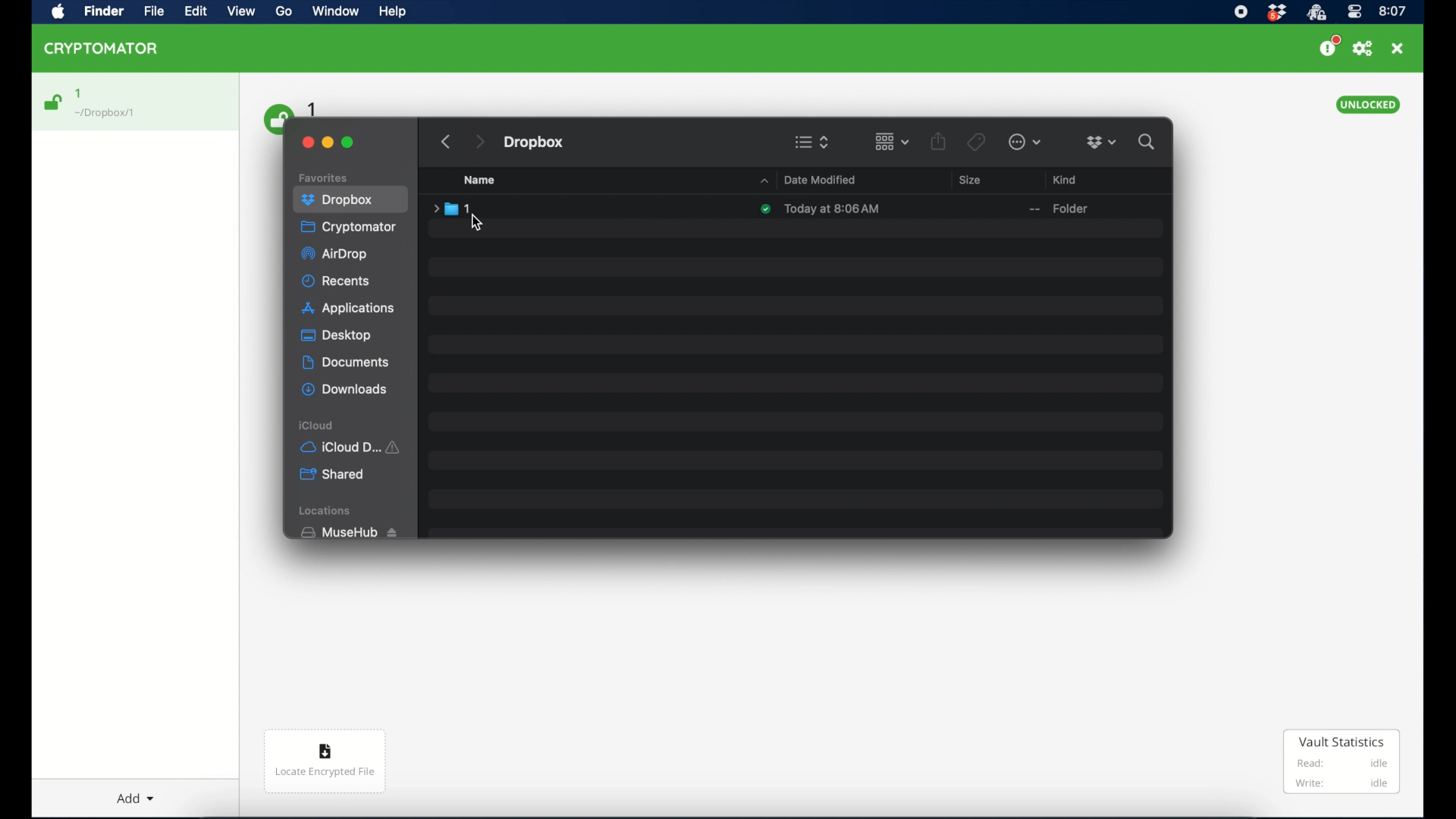 This screenshot has height=819, width=1456. I want to click on downloads, so click(344, 389).